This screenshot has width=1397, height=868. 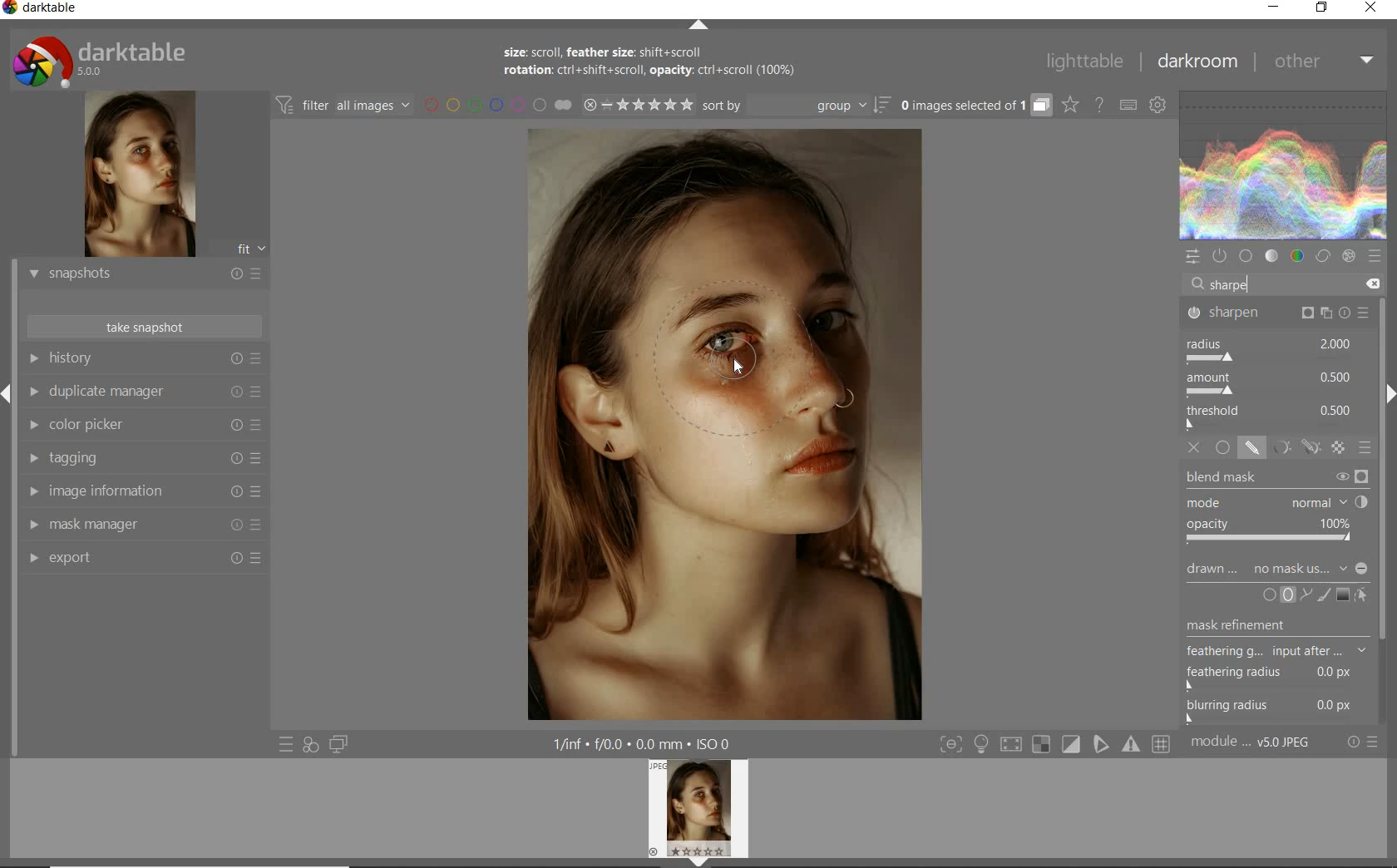 I want to click on IMAGE, so click(x=703, y=811).